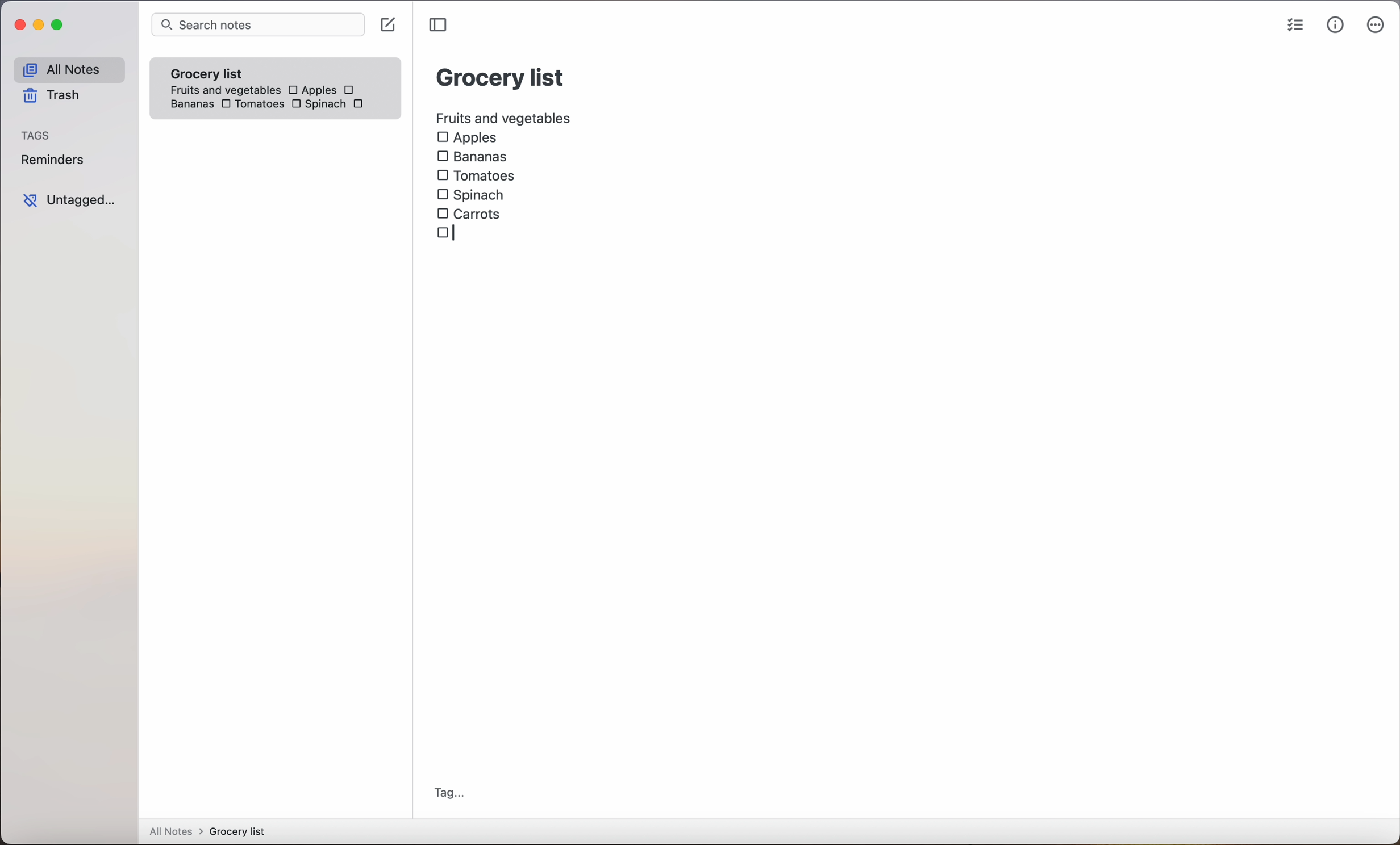 The width and height of the screenshot is (1400, 845). I want to click on trash, so click(50, 98).